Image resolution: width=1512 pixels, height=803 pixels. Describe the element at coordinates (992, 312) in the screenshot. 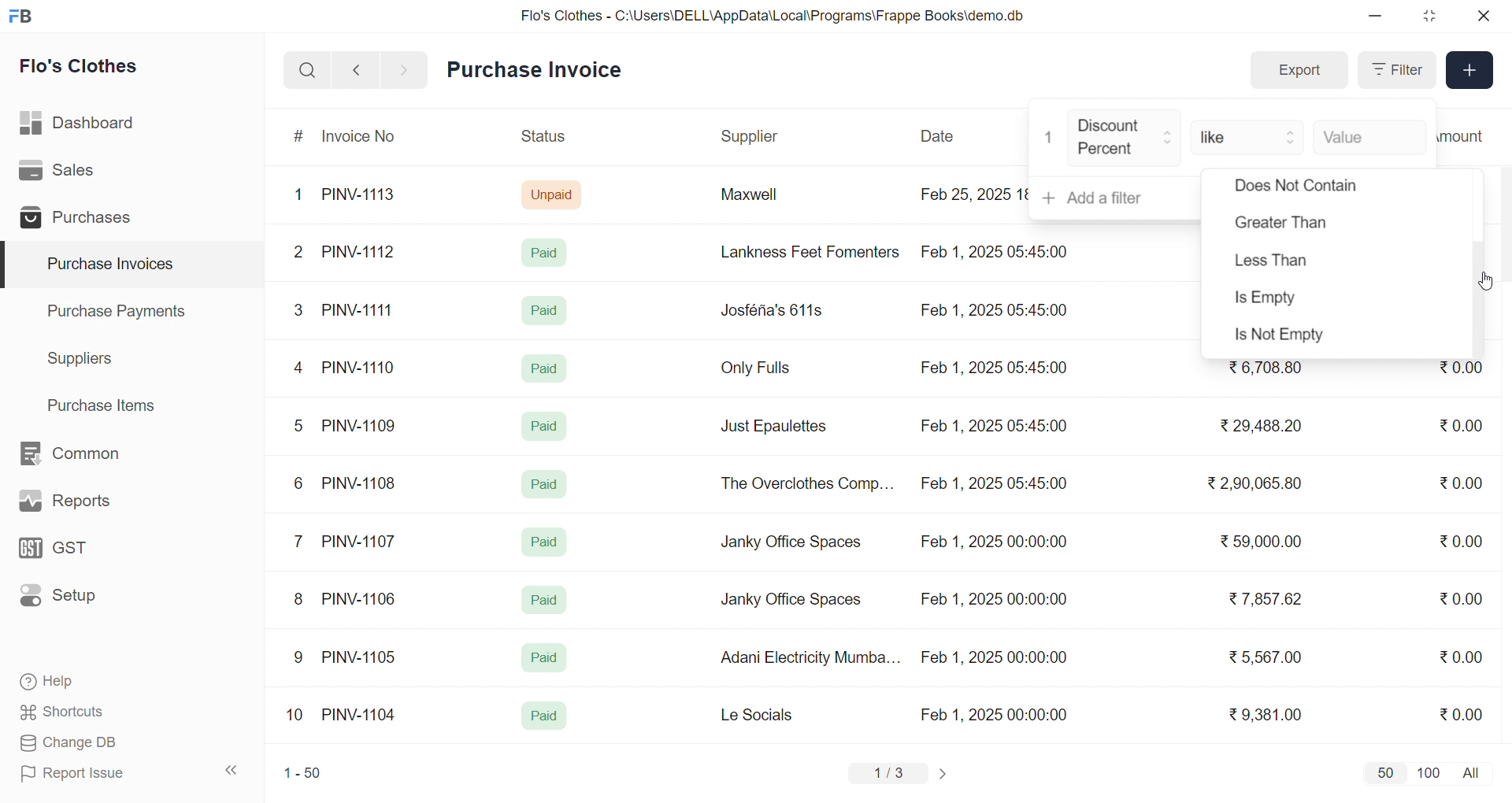

I see `Feb 1, 2025 05:45:00` at that location.